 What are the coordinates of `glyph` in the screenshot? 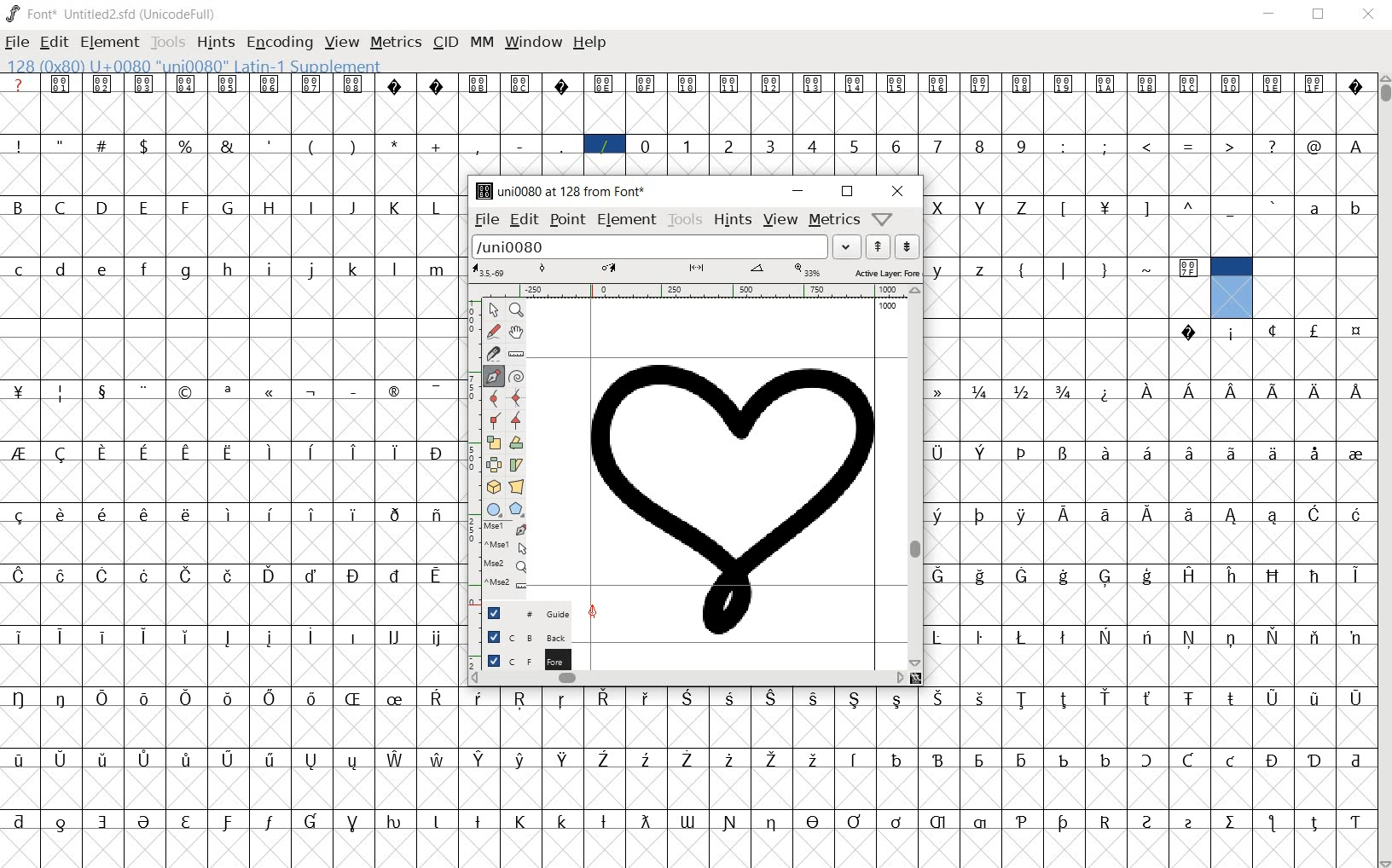 It's located at (687, 822).